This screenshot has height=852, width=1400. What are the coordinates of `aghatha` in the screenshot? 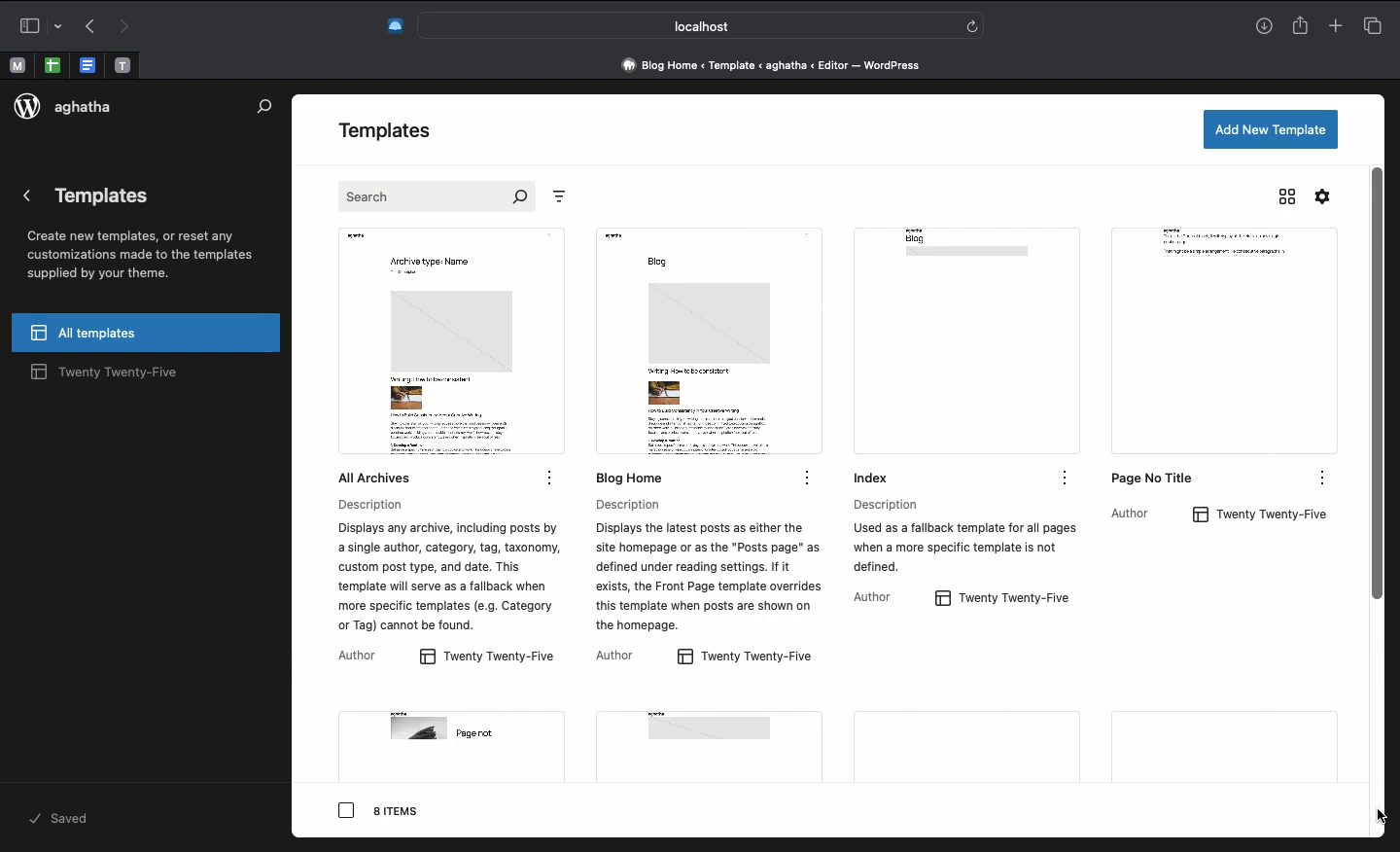 It's located at (87, 108).